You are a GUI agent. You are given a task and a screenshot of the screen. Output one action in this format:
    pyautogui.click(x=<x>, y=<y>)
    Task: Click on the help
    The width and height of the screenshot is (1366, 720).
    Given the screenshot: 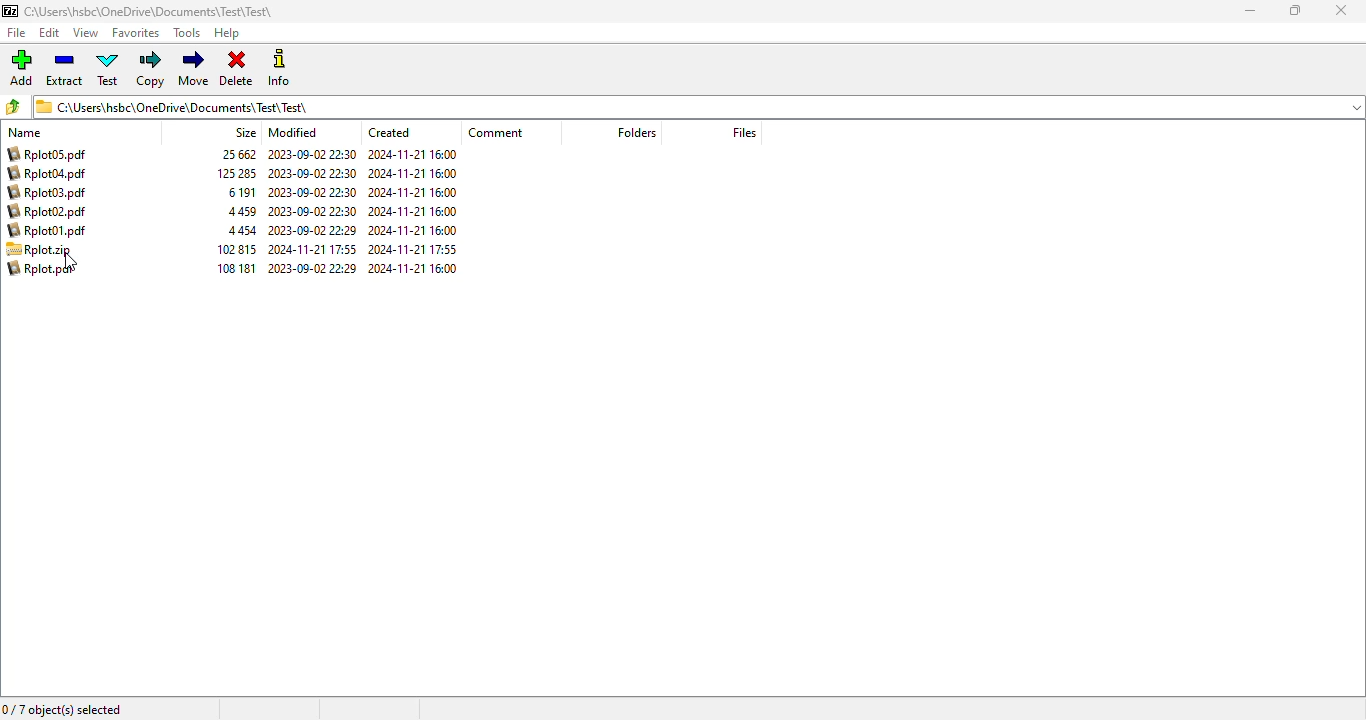 What is the action you would take?
    pyautogui.click(x=228, y=33)
    